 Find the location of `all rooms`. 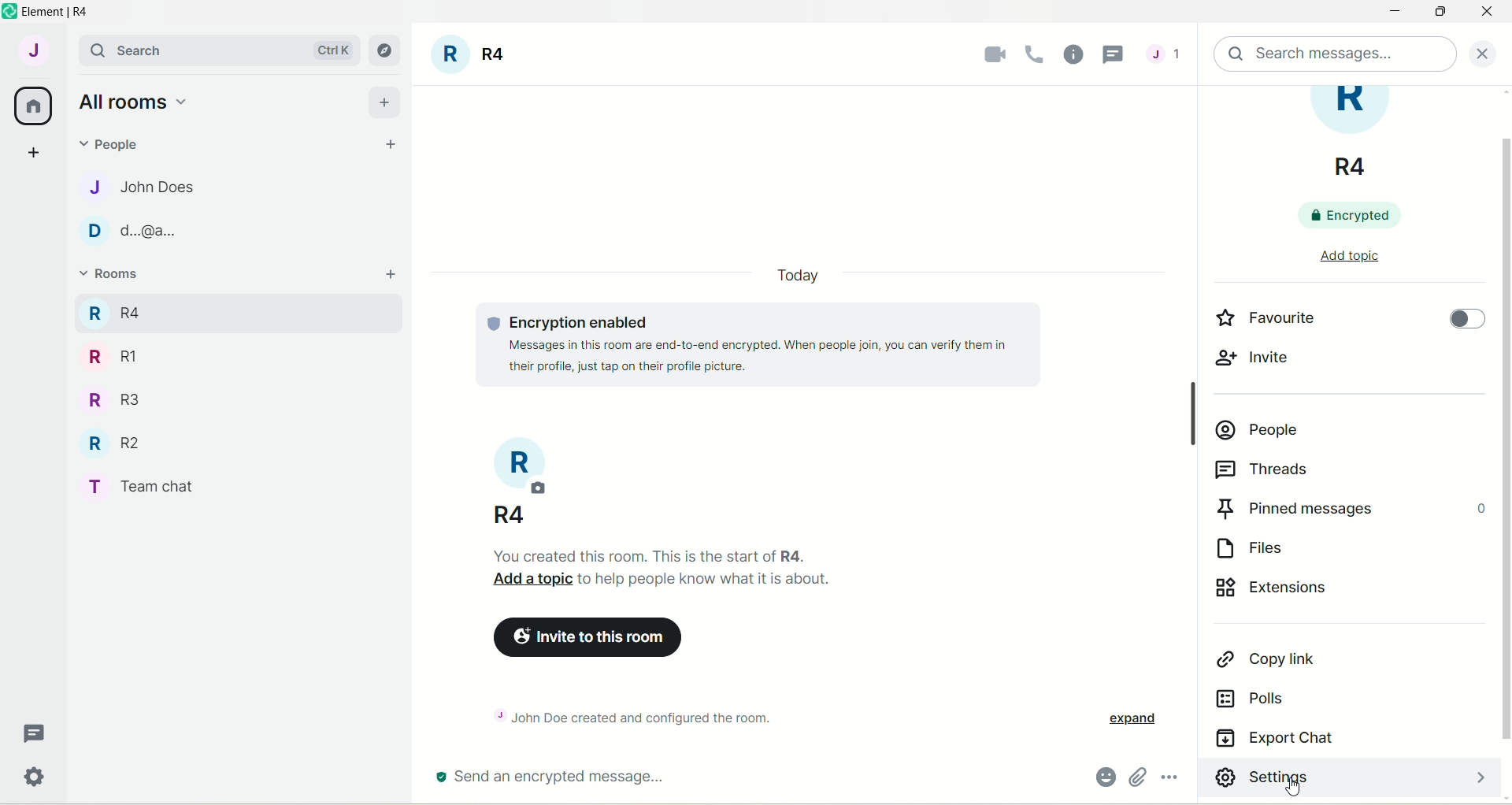

all rooms is located at coordinates (34, 106).